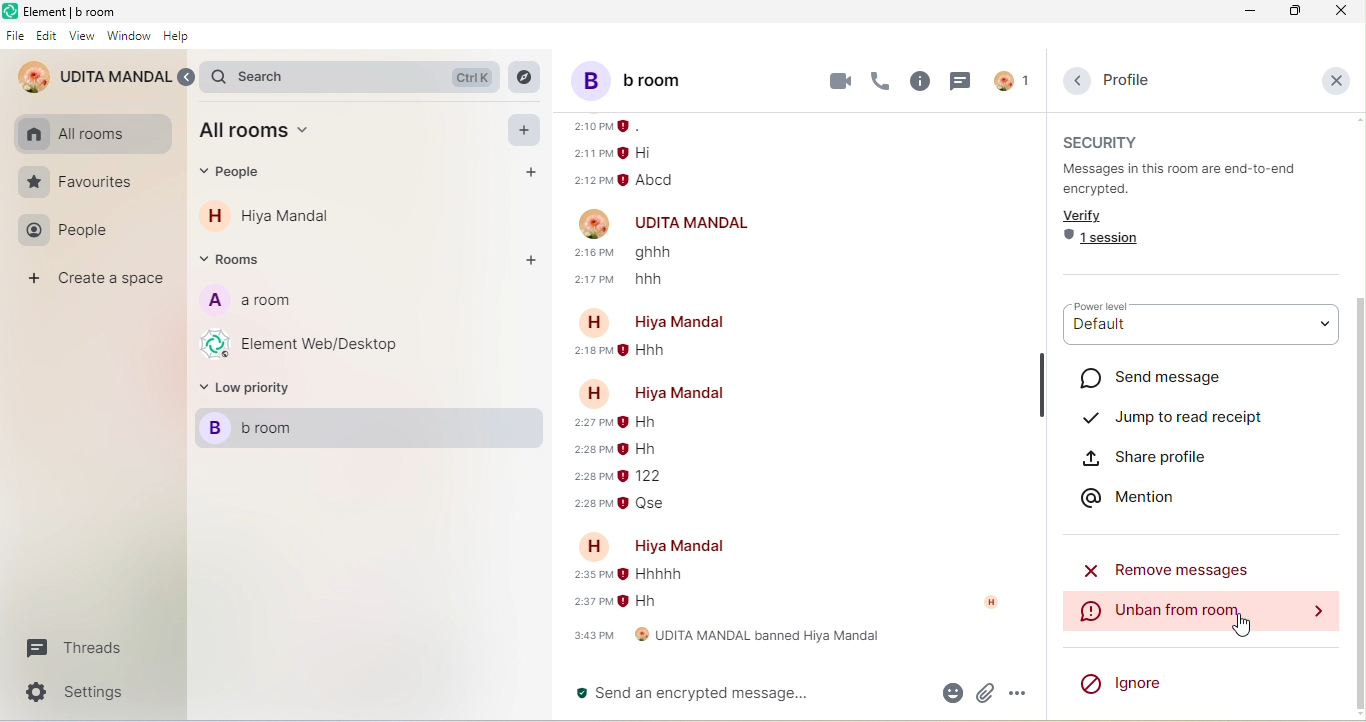  What do you see at coordinates (1294, 11) in the screenshot?
I see `maximize` at bounding box center [1294, 11].